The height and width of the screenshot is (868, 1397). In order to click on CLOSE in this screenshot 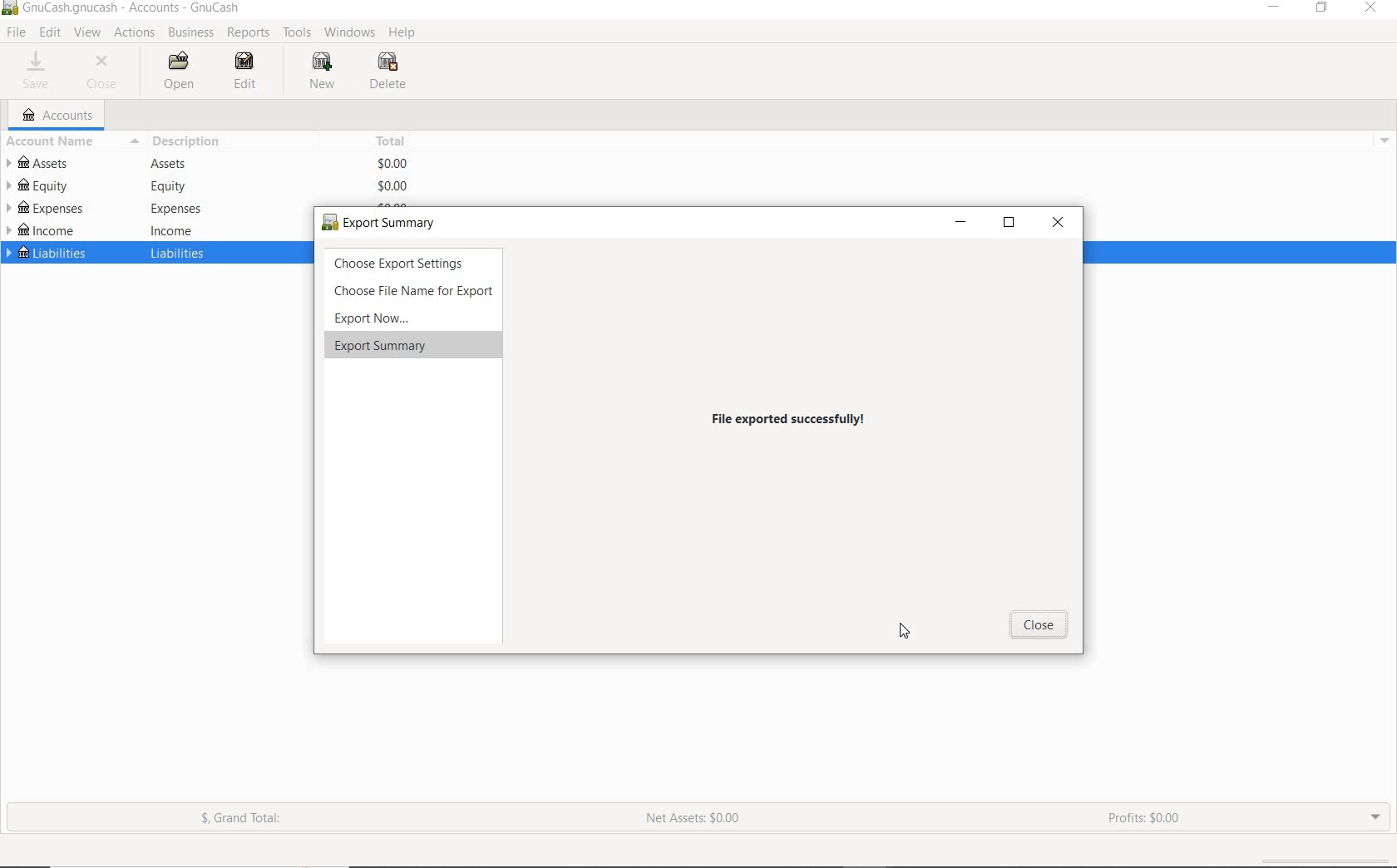, I will do `click(1371, 8)`.